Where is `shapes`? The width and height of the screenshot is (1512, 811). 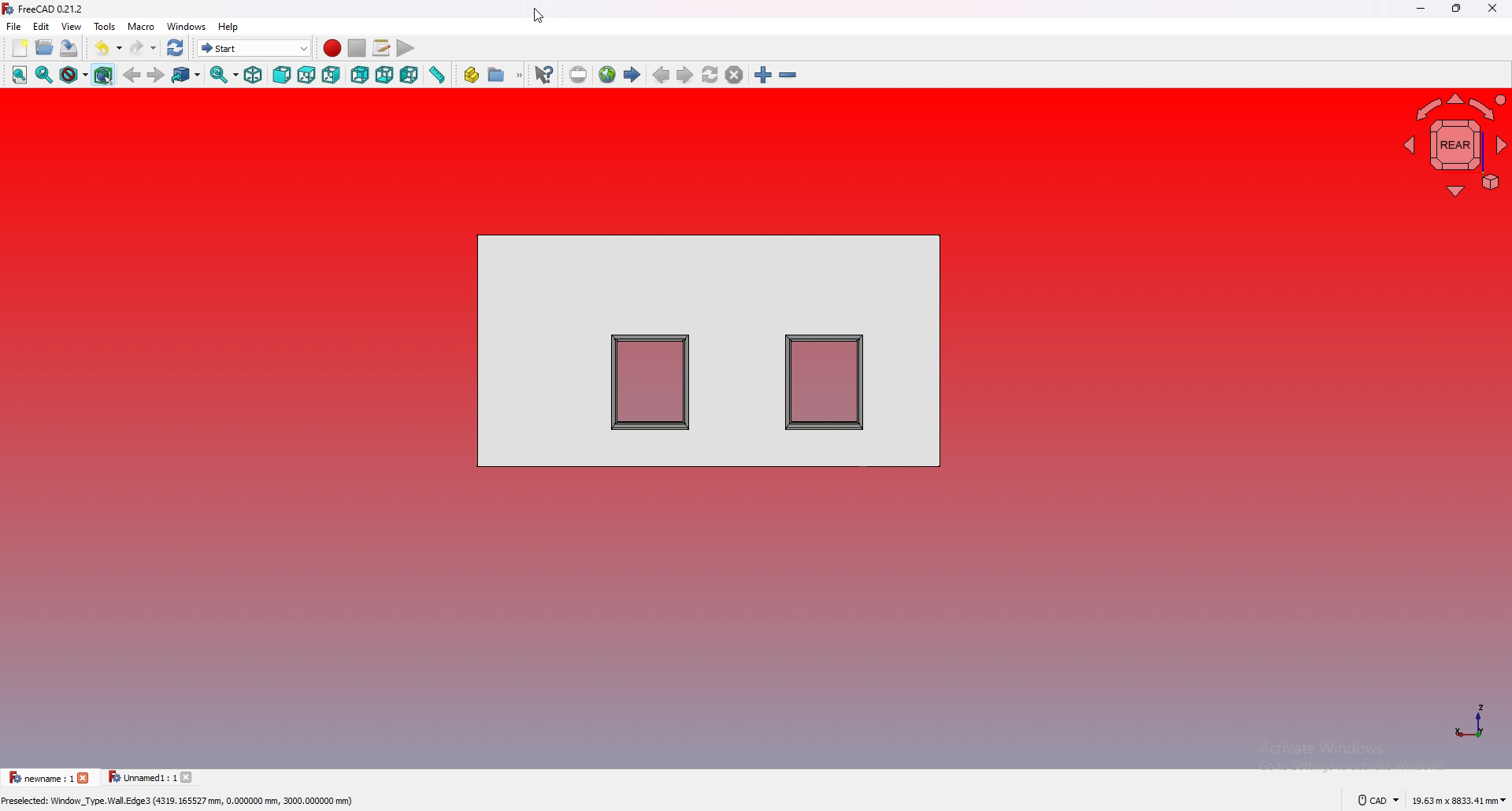
shapes is located at coordinates (709, 350).